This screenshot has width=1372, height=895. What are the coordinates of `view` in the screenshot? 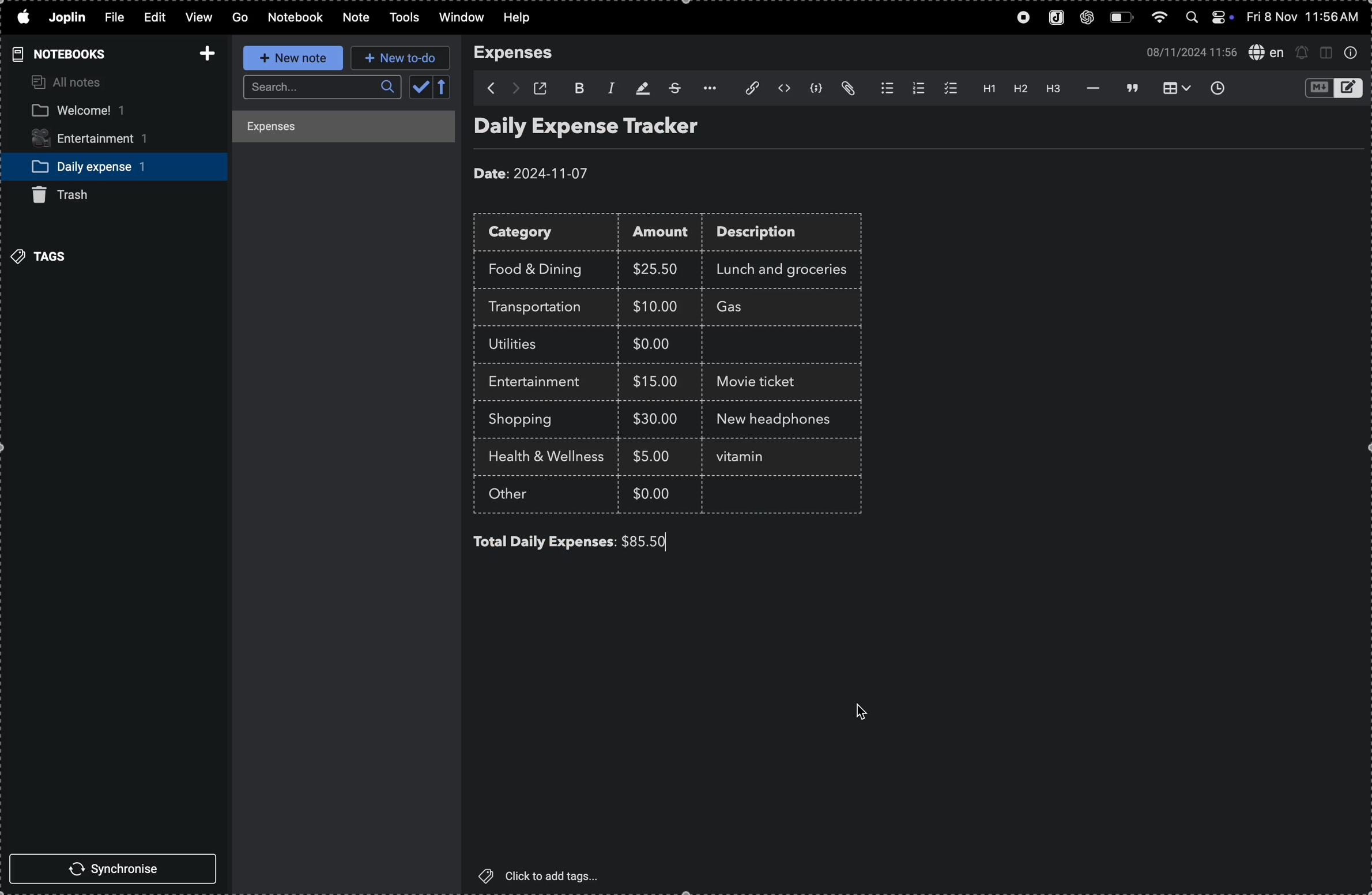 It's located at (196, 18).